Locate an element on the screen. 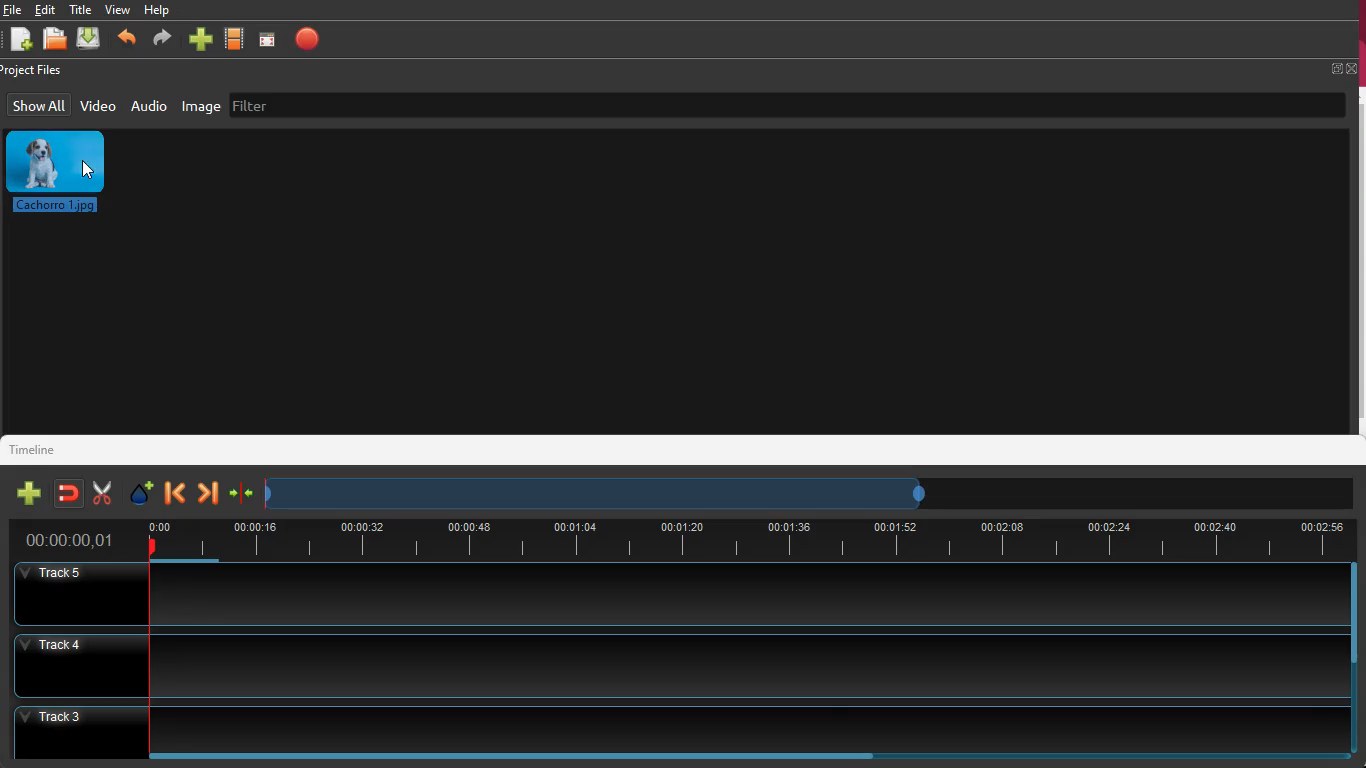 The width and height of the screenshot is (1366, 768). forward is located at coordinates (209, 490).